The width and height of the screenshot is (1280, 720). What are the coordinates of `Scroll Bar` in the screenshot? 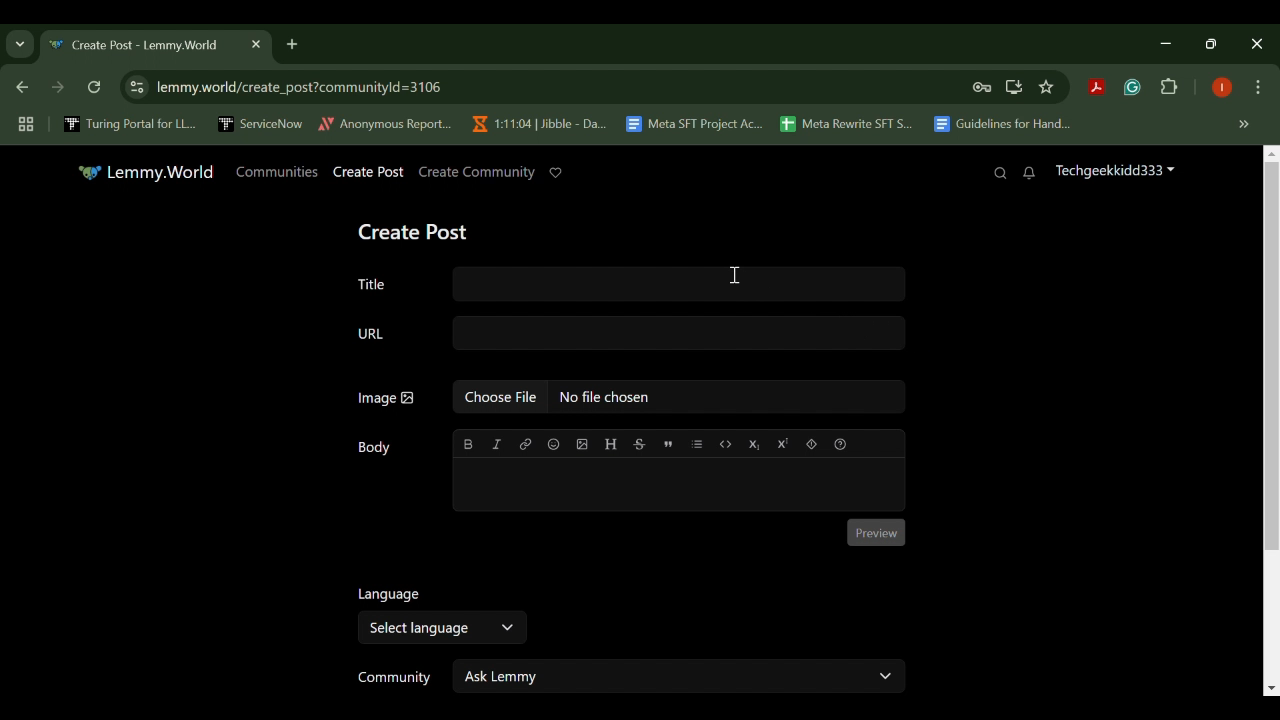 It's located at (1268, 423).